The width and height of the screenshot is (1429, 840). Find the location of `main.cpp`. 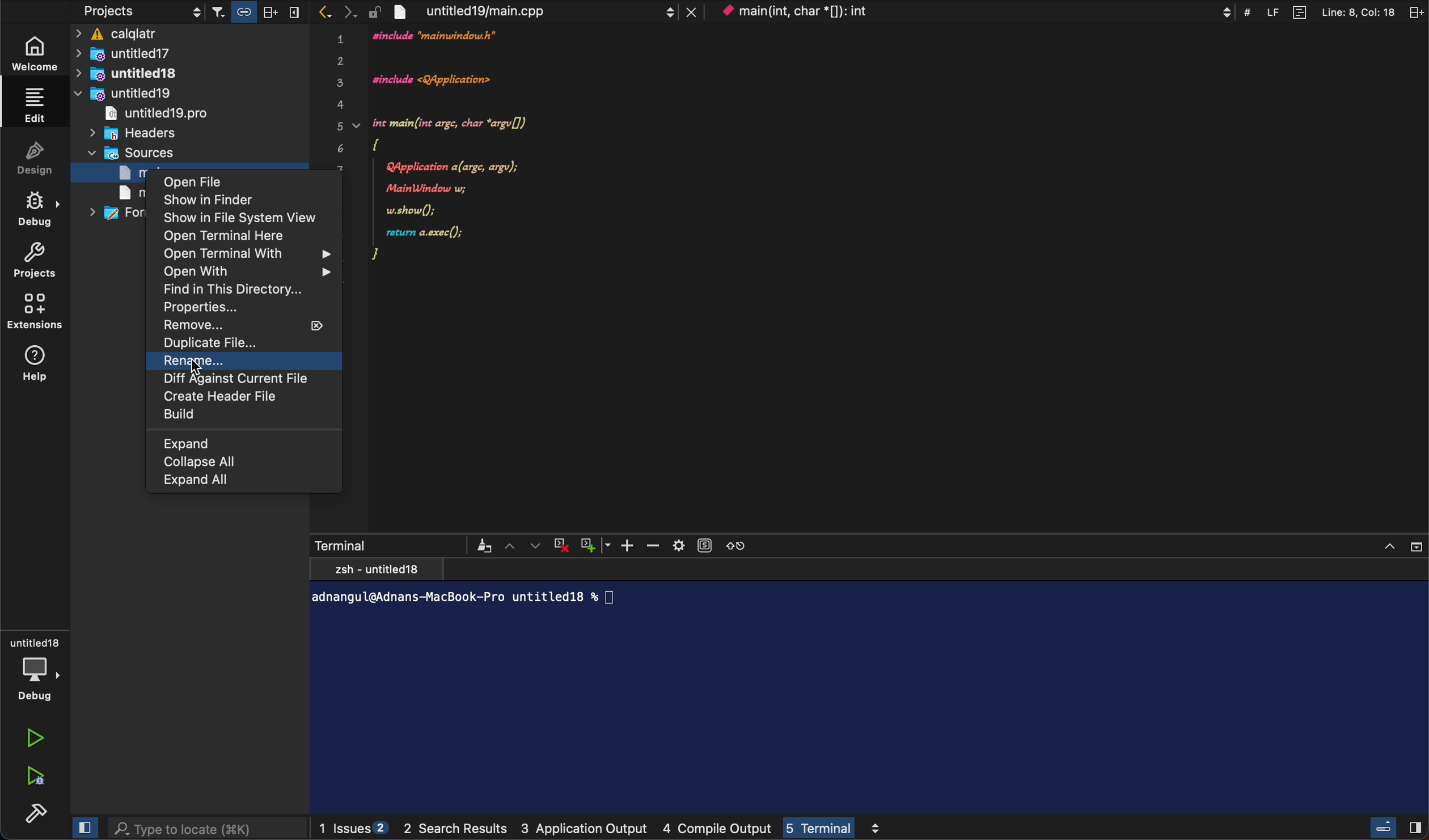

main.cpp is located at coordinates (117, 172).